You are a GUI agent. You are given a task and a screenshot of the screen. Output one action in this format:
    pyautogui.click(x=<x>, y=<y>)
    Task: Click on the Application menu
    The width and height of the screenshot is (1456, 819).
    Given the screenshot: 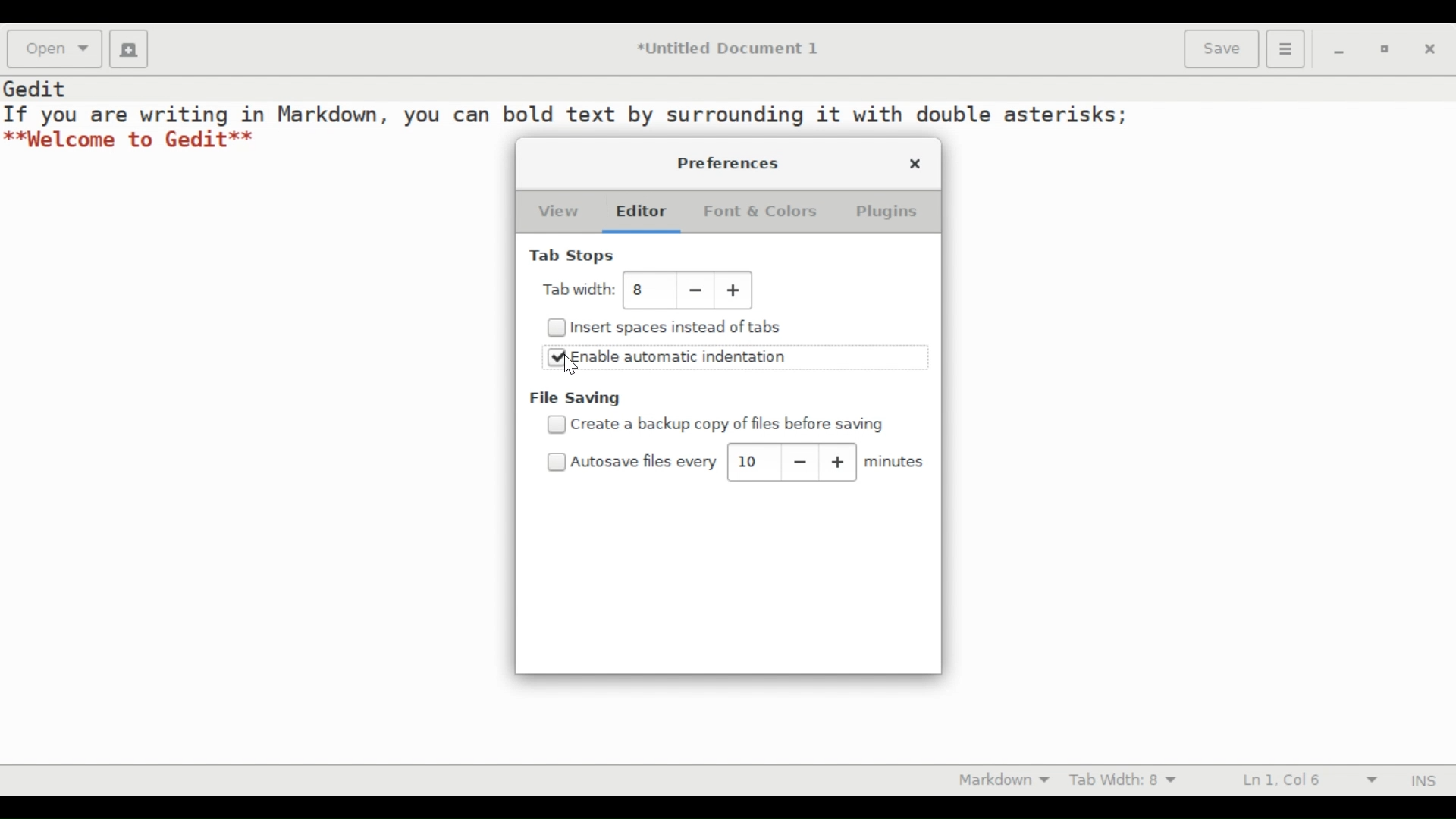 What is the action you would take?
    pyautogui.click(x=1285, y=49)
    